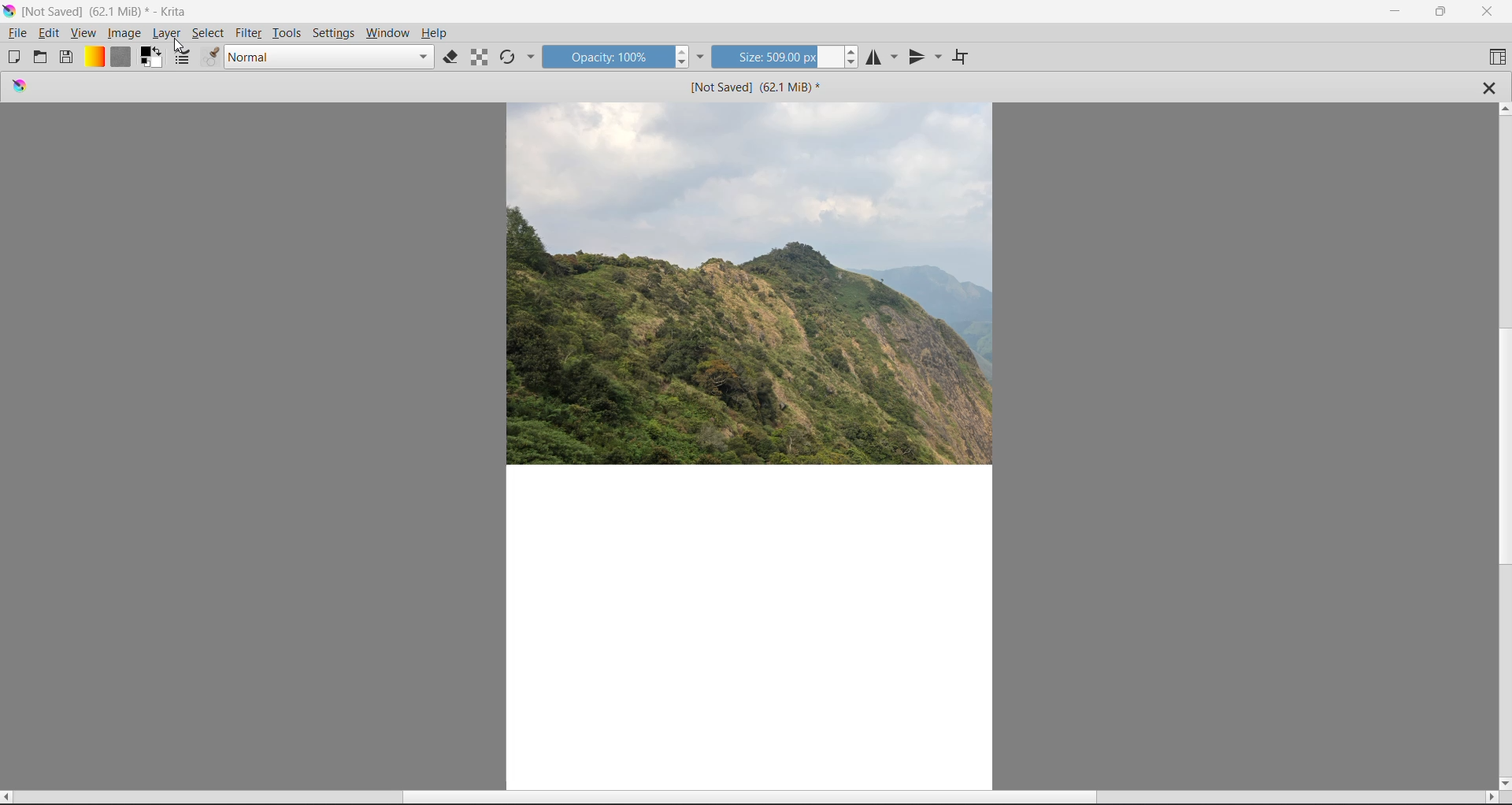  What do you see at coordinates (120, 57) in the screenshot?
I see `Fill Patterns` at bounding box center [120, 57].